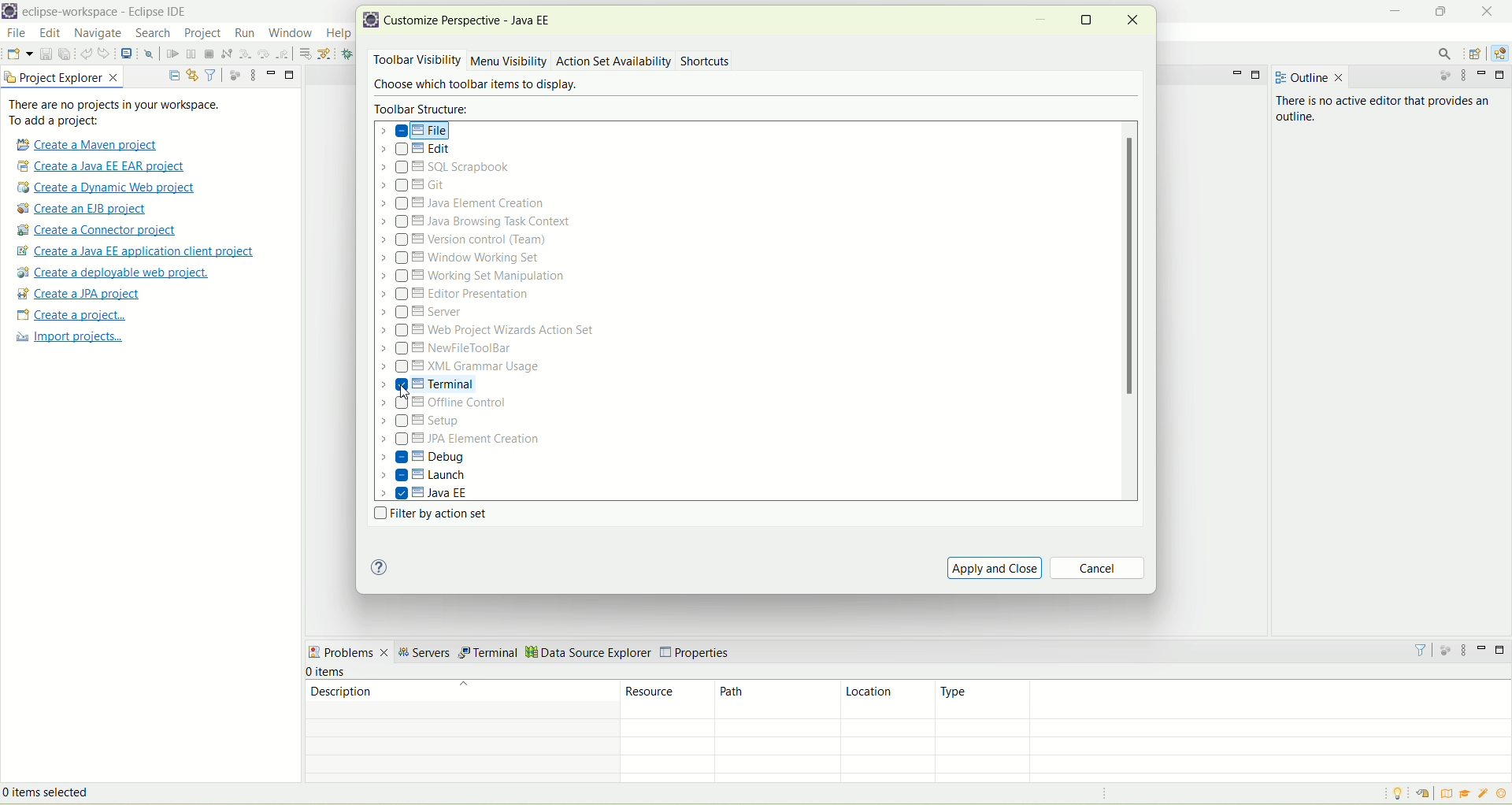  What do you see at coordinates (1132, 311) in the screenshot?
I see `scroll bar` at bounding box center [1132, 311].